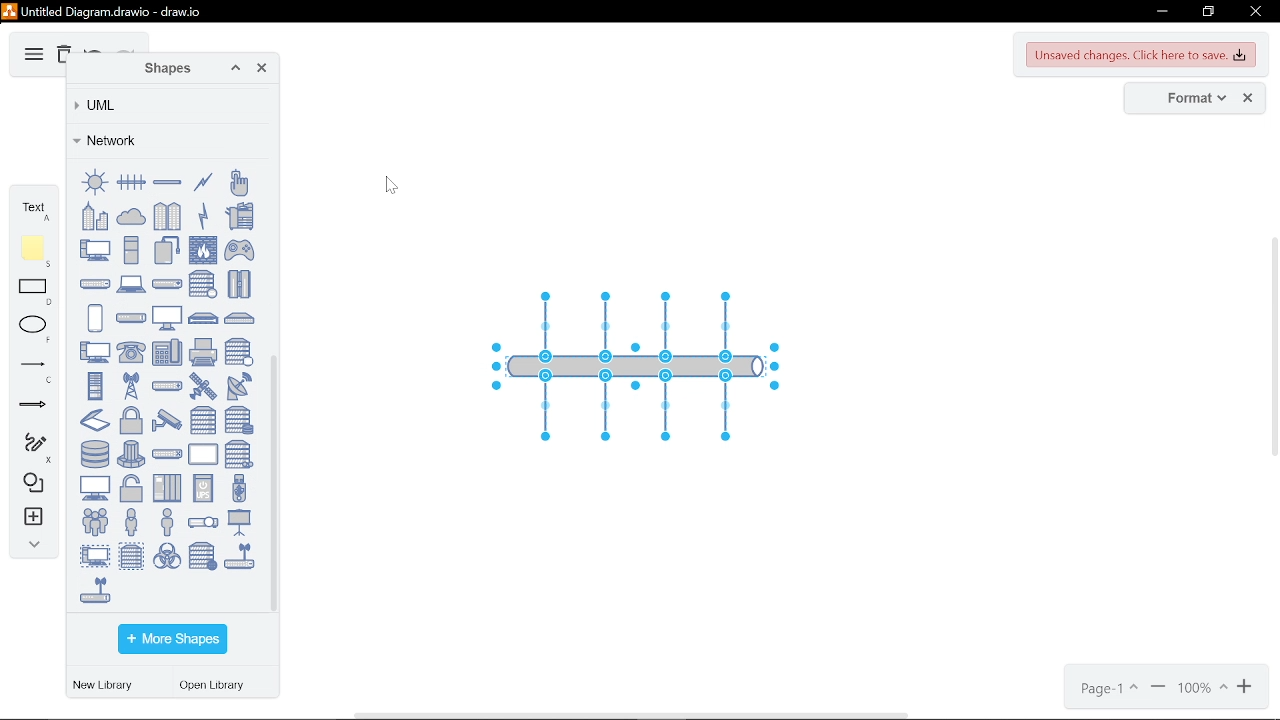 The height and width of the screenshot is (720, 1280). What do you see at coordinates (95, 454) in the screenshot?
I see `storage` at bounding box center [95, 454].